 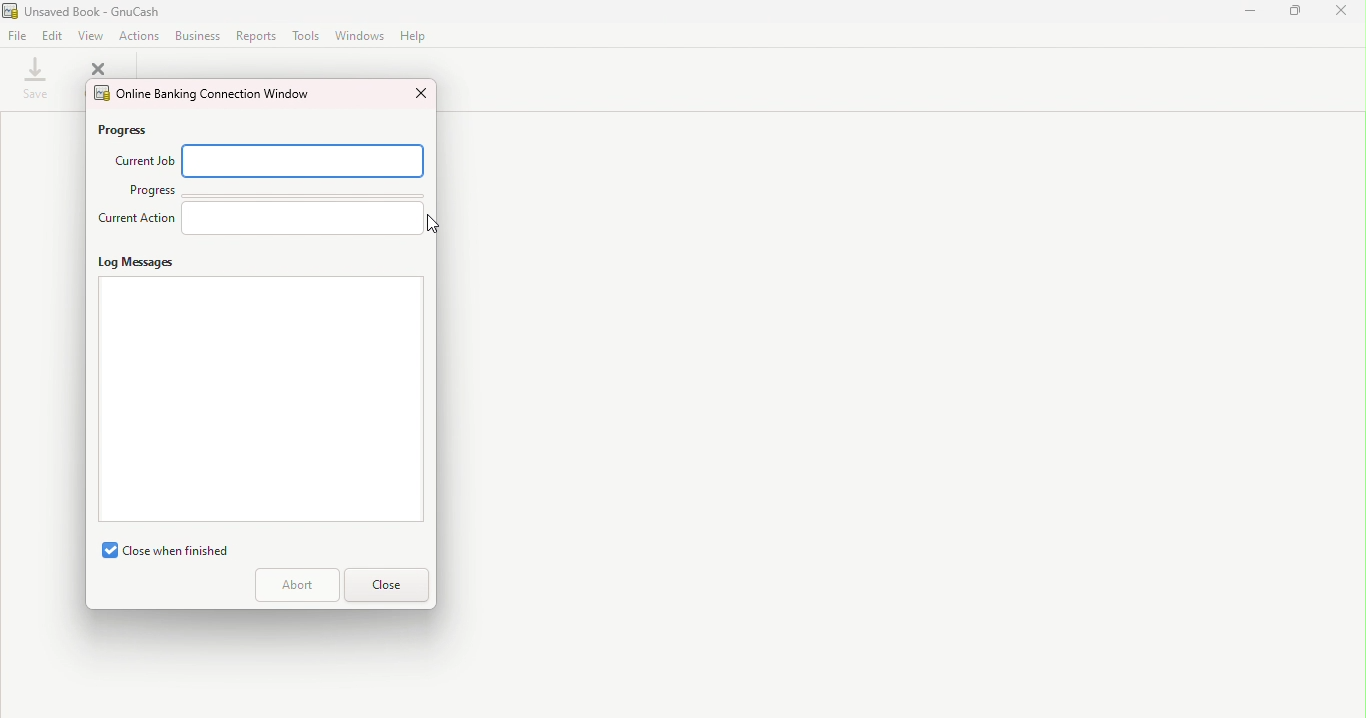 I want to click on view, so click(x=90, y=35).